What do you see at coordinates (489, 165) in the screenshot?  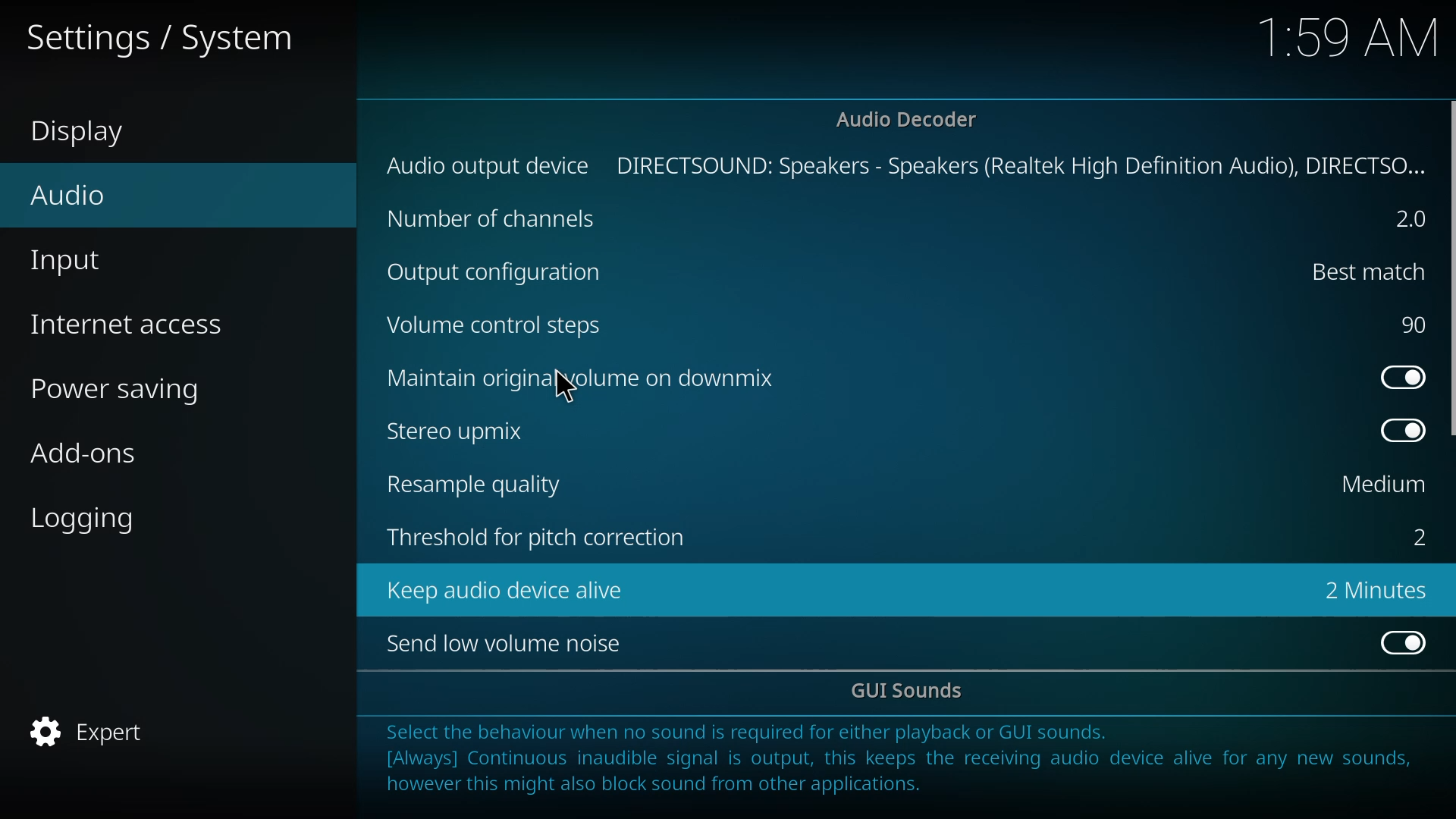 I see `audio output device` at bounding box center [489, 165].